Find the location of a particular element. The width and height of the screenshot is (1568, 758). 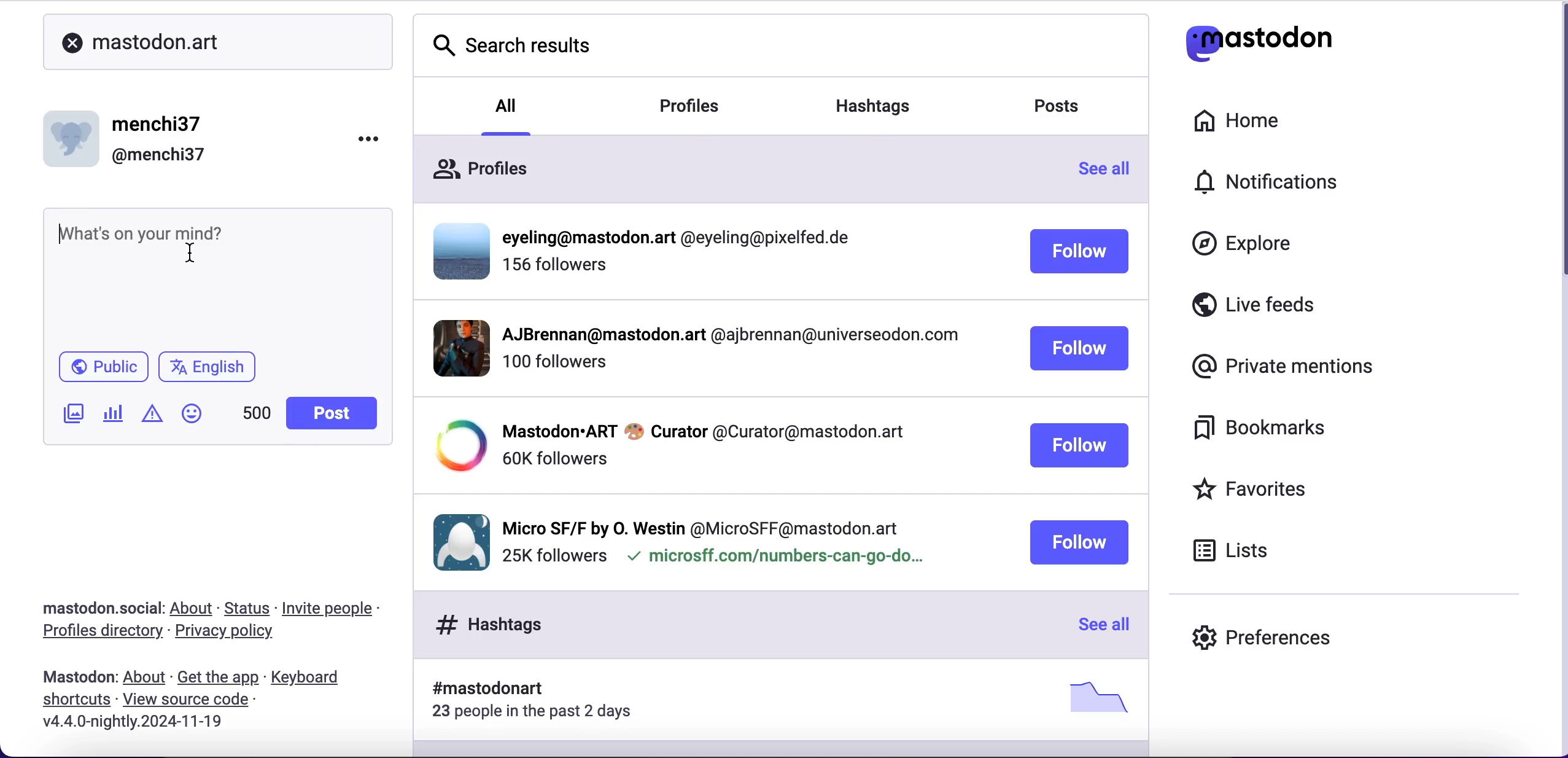

private mentions is located at coordinates (1273, 370).